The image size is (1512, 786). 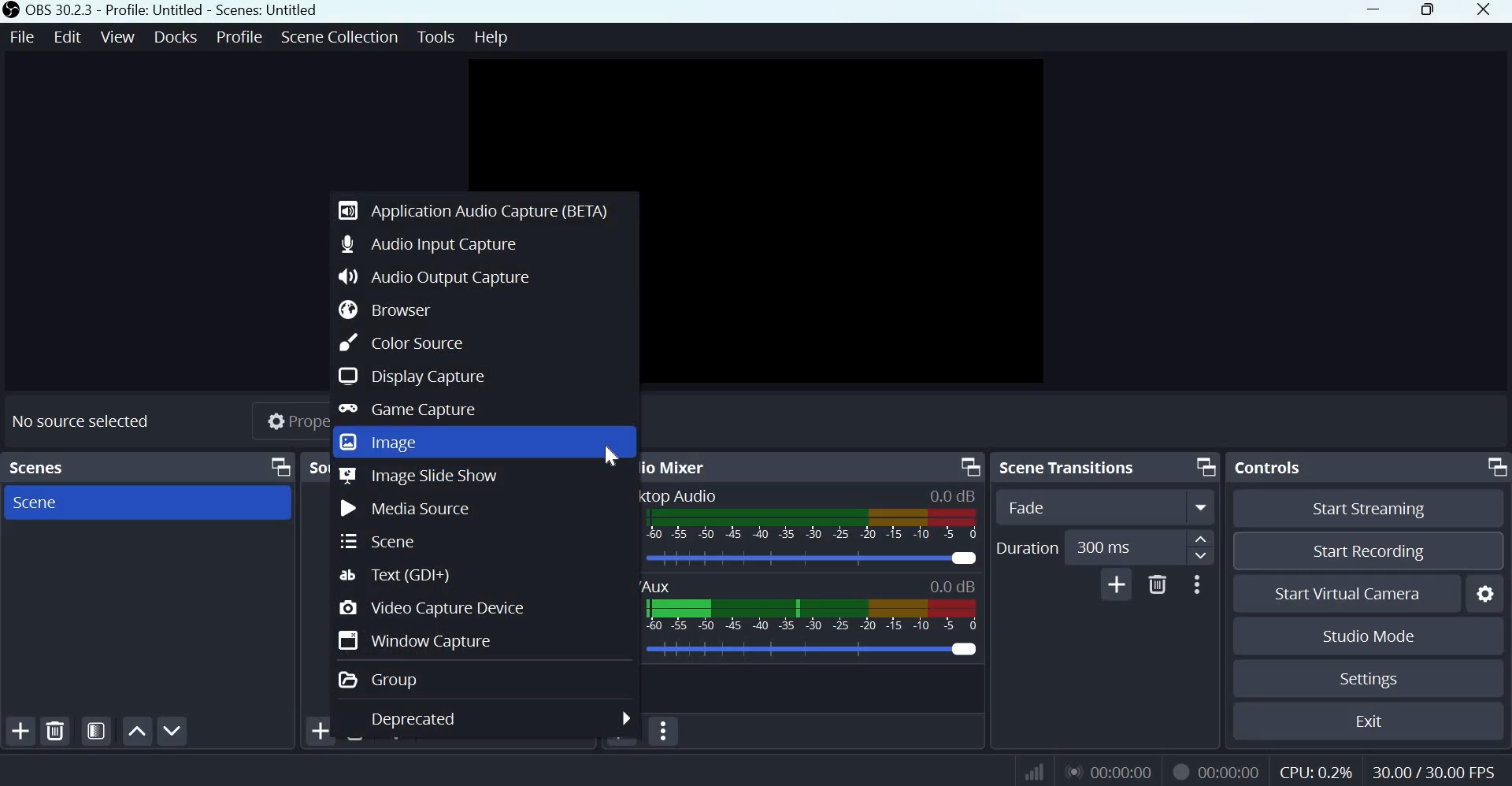 I want to click on Display capture, so click(x=409, y=376).